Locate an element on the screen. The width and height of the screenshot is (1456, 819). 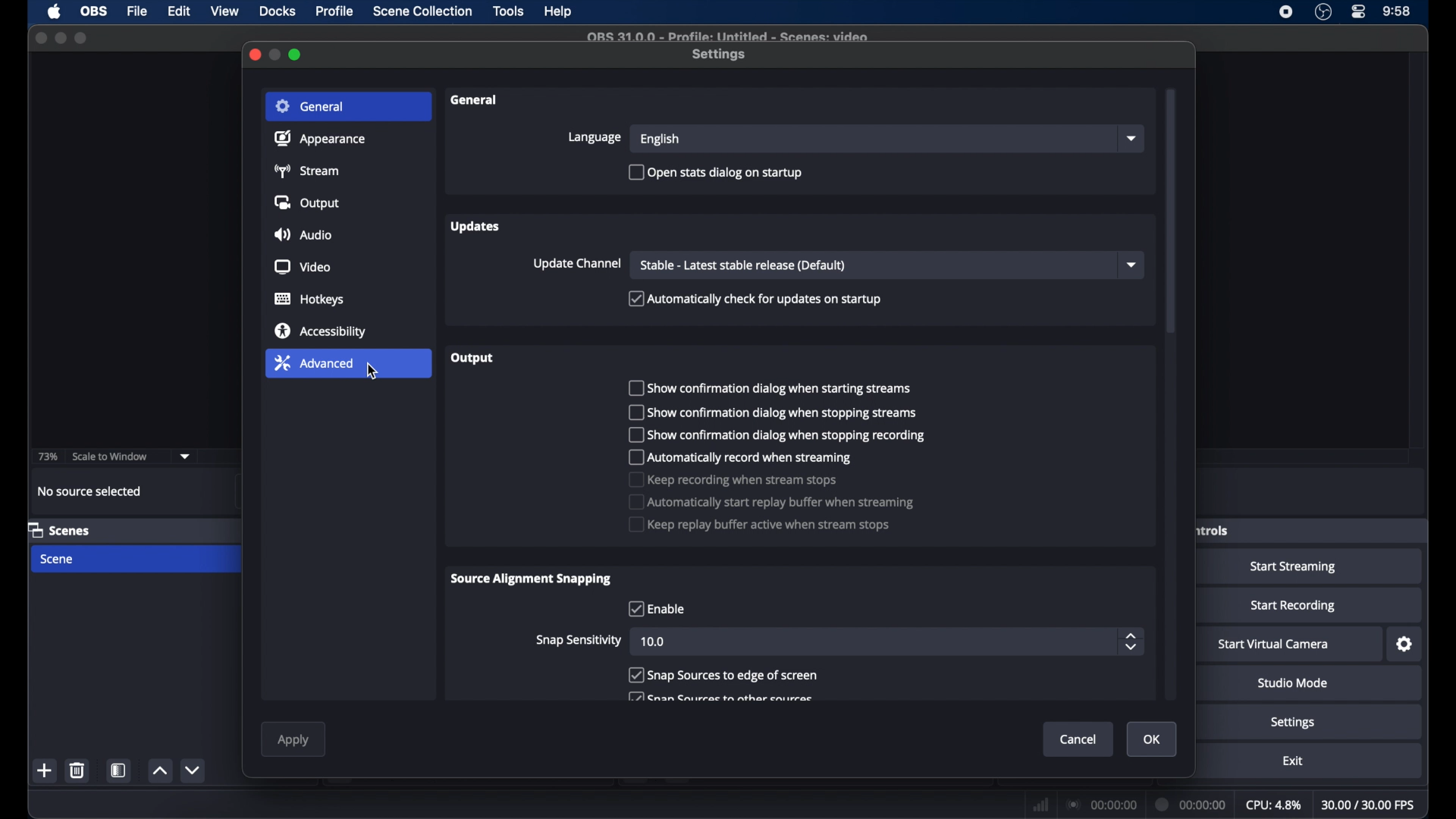
time is located at coordinates (1397, 12).